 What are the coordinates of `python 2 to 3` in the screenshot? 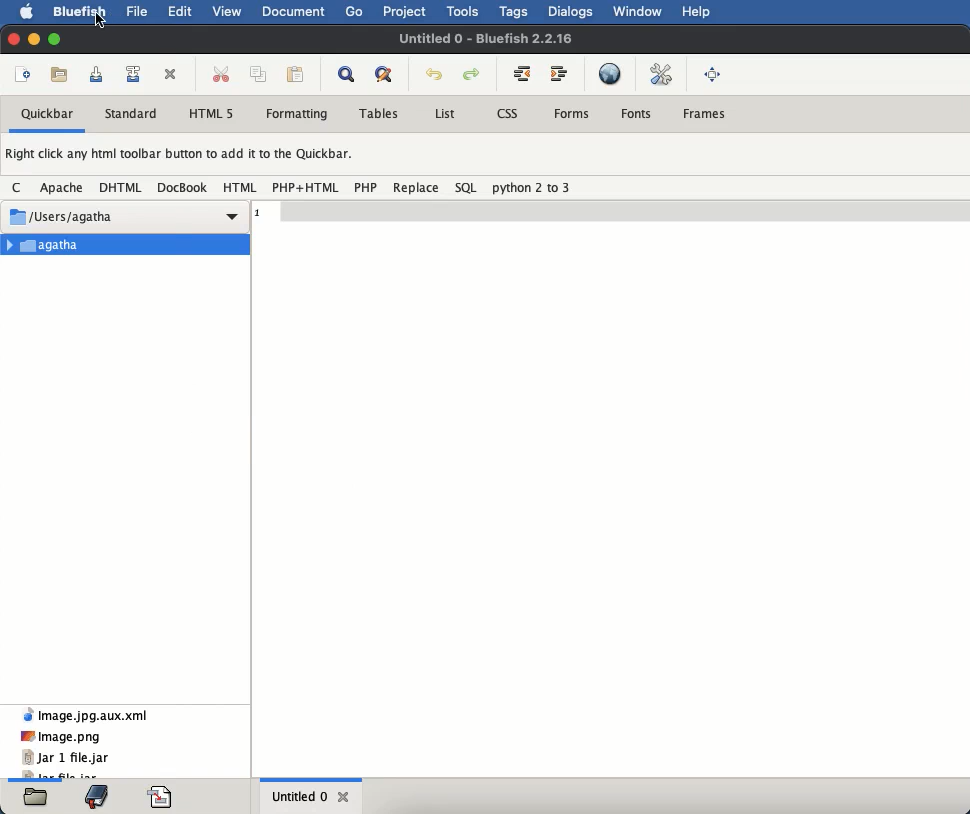 It's located at (532, 187).